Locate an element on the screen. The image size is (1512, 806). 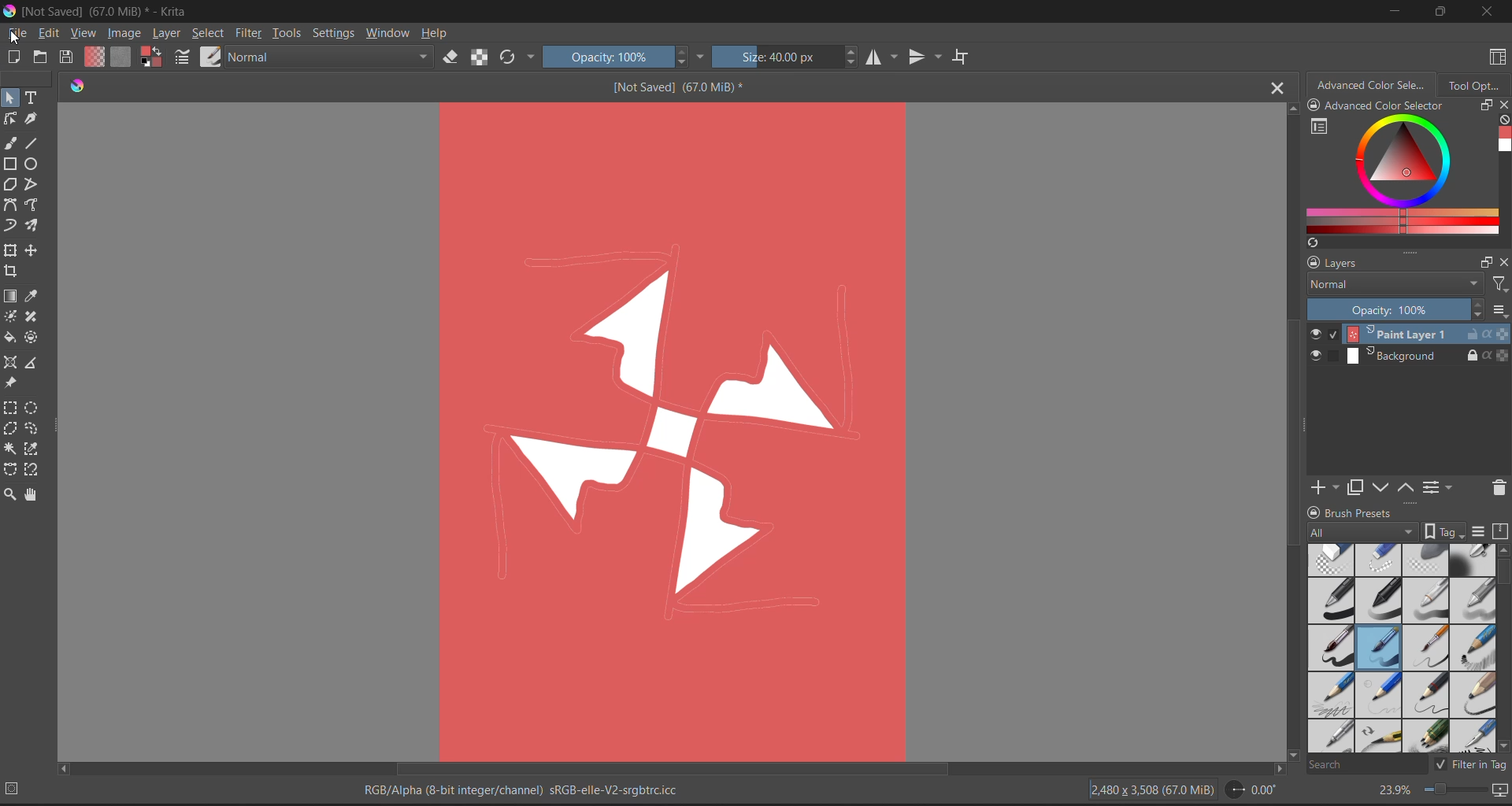
window is located at coordinates (390, 34).